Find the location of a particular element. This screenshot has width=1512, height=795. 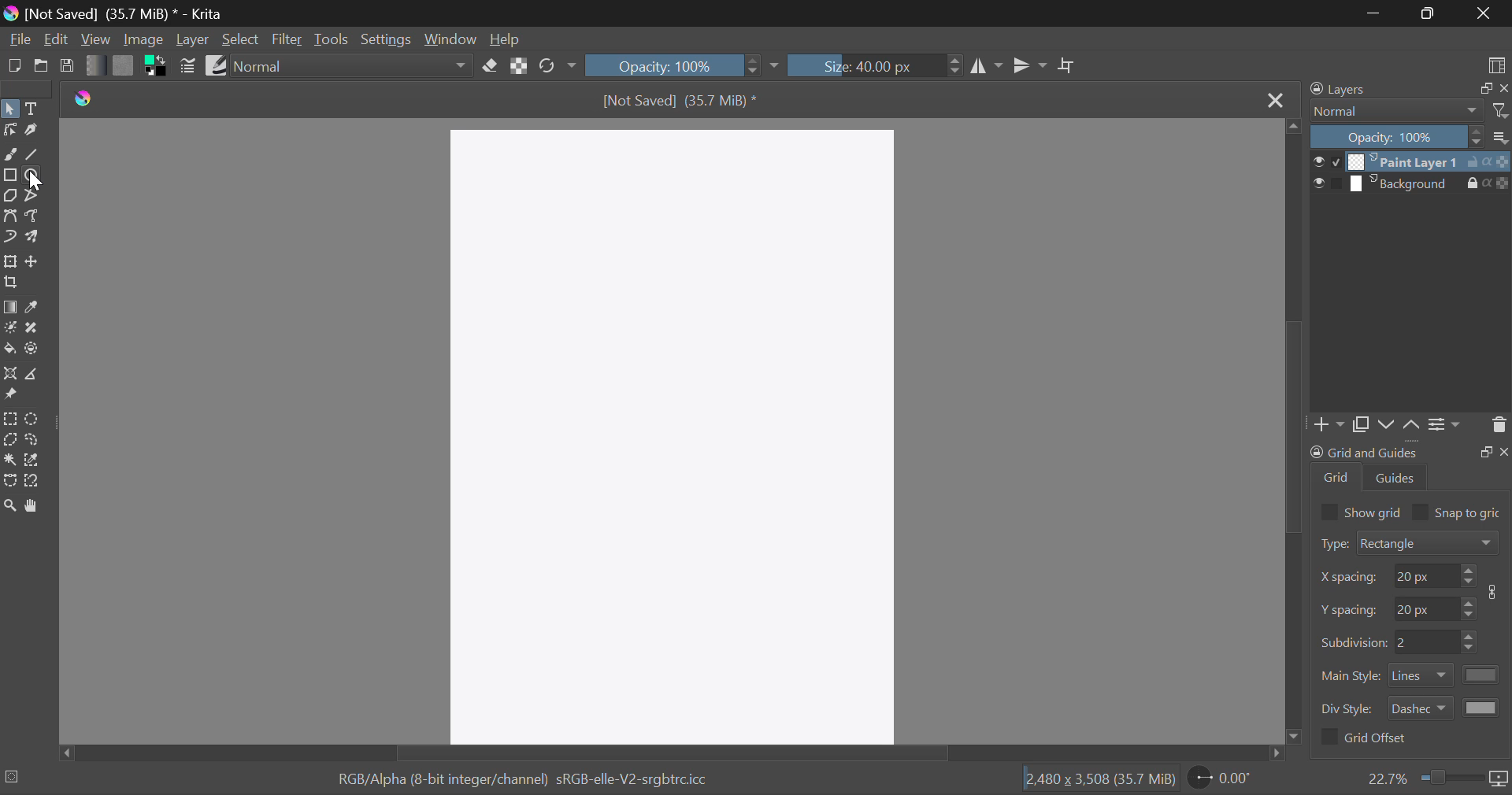

Page Rotation is located at coordinates (1224, 780).